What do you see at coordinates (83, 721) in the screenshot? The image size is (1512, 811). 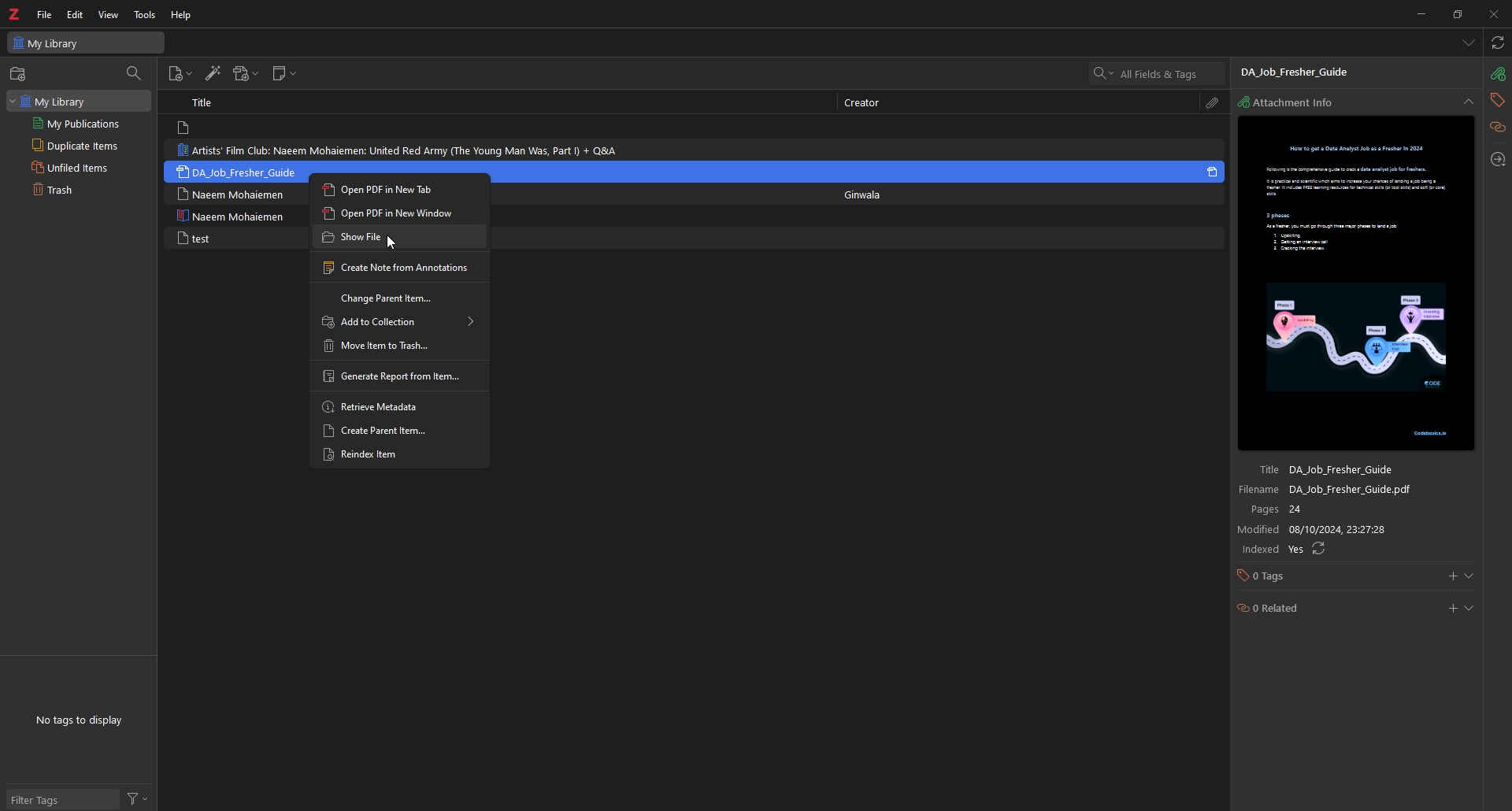 I see `tags to display` at bounding box center [83, 721].